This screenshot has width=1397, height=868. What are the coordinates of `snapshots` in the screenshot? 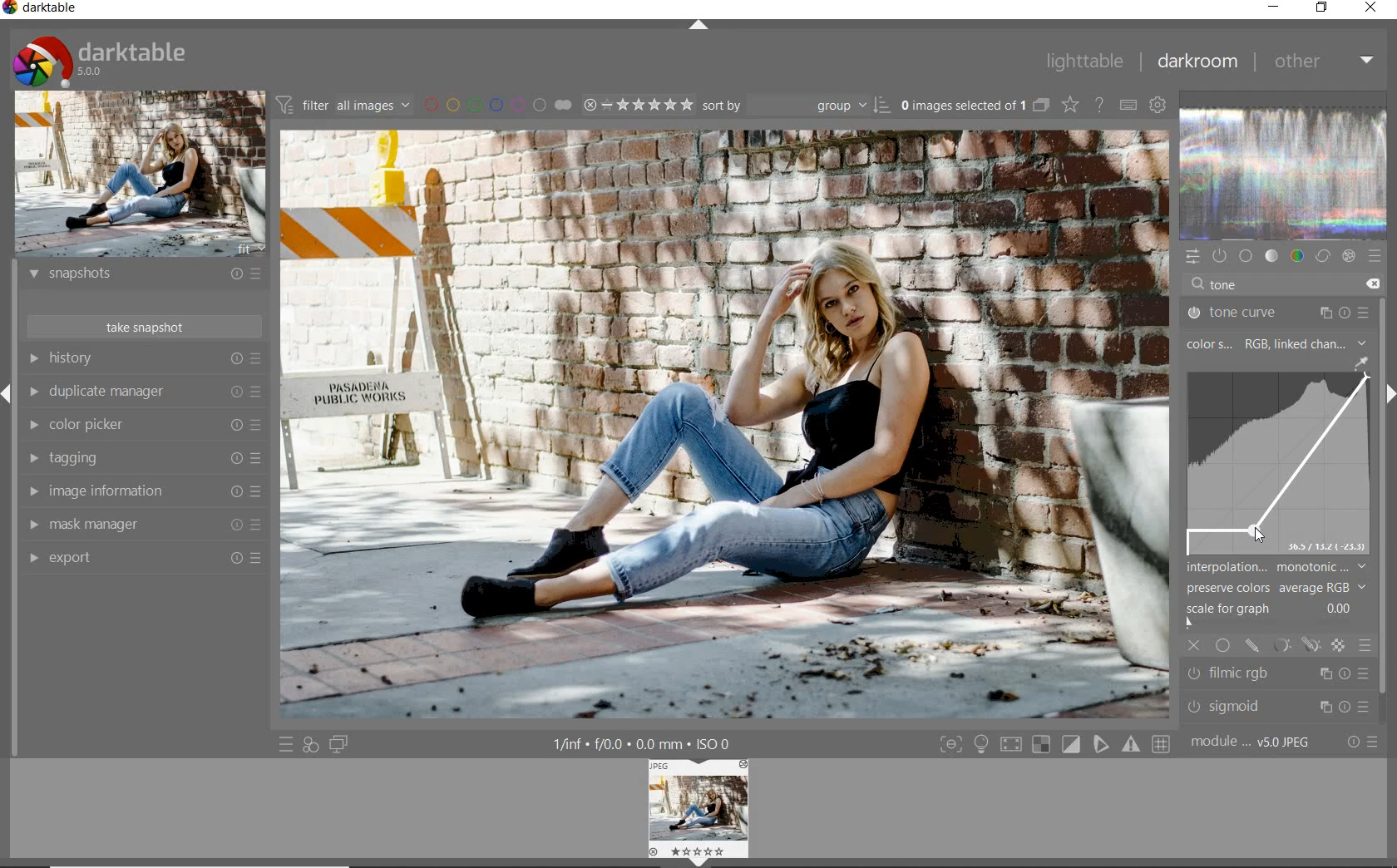 It's located at (144, 277).